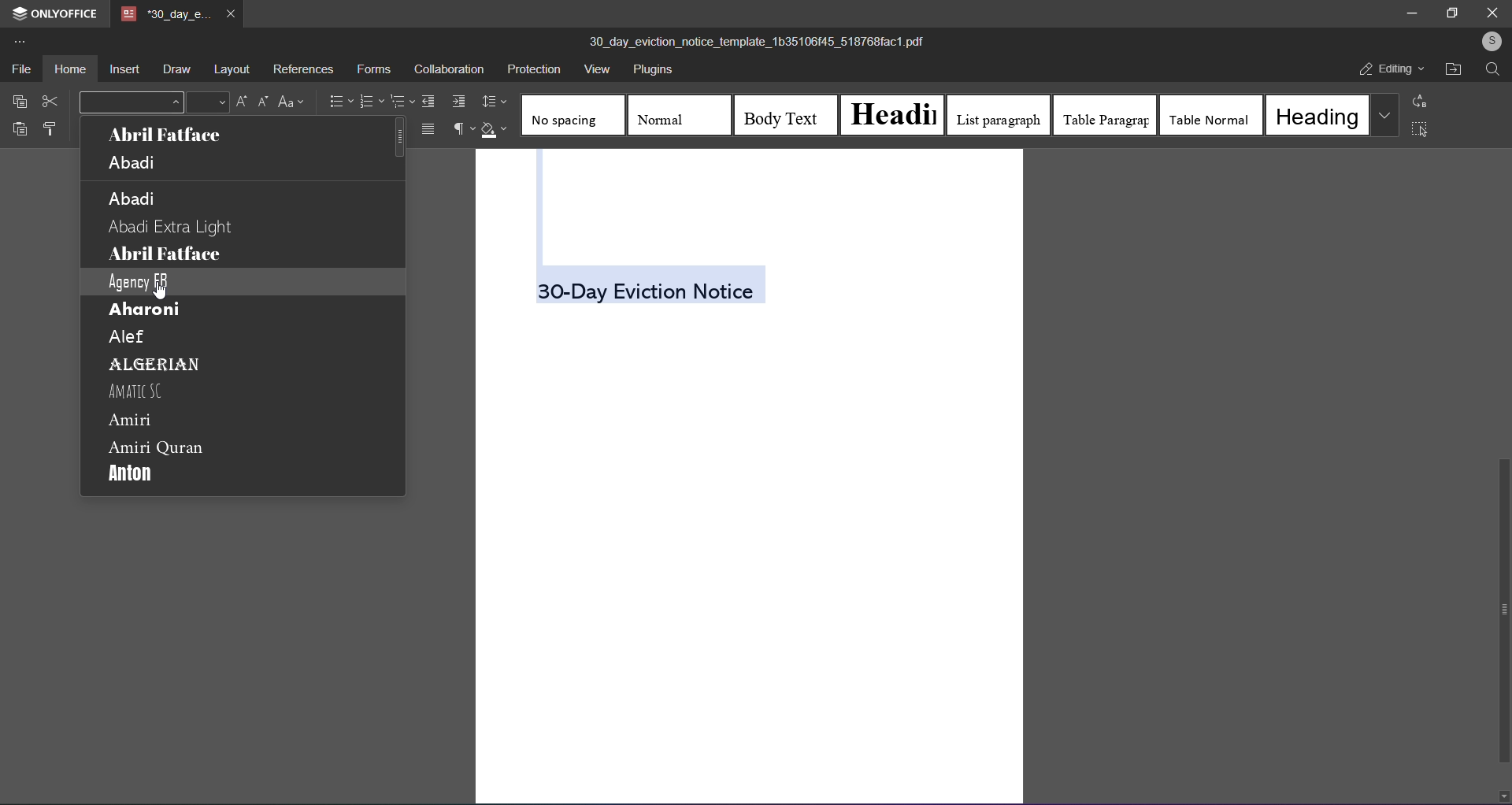  What do you see at coordinates (50, 100) in the screenshot?
I see `cut` at bounding box center [50, 100].